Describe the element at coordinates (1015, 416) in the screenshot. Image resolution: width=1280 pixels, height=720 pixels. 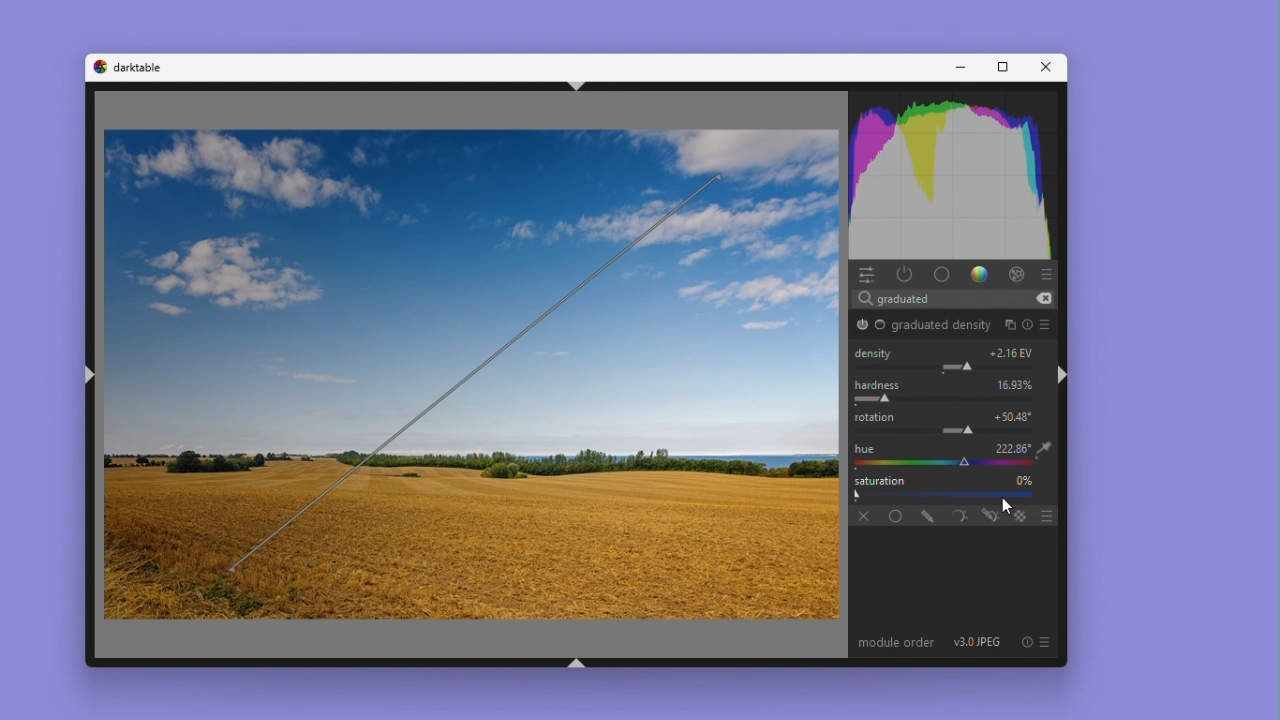
I see `+0.00` at that location.